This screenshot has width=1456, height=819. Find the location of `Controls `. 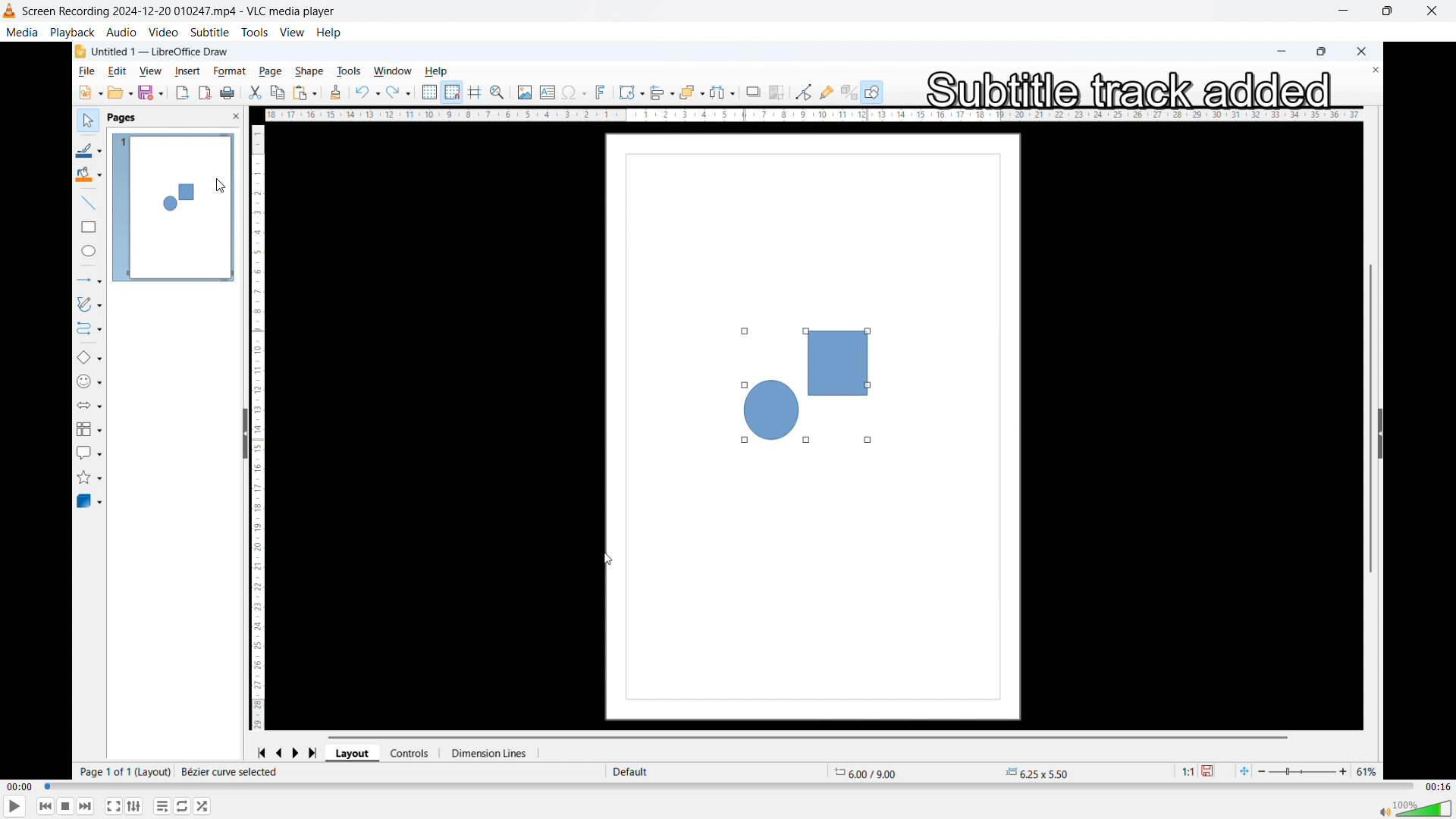

Controls  is located at coordinates (415, 753).